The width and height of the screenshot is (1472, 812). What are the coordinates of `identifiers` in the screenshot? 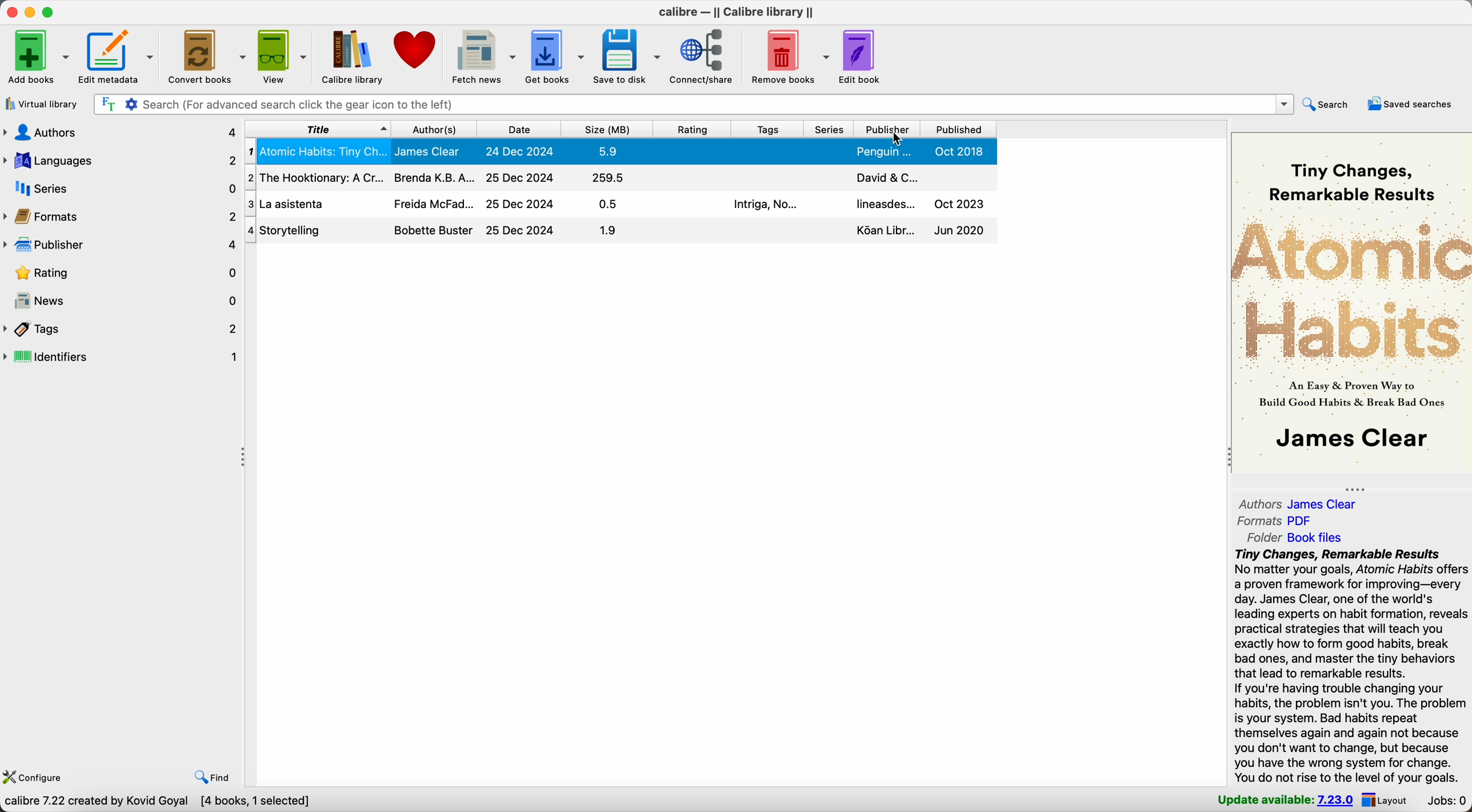 It's located at (122, 358).